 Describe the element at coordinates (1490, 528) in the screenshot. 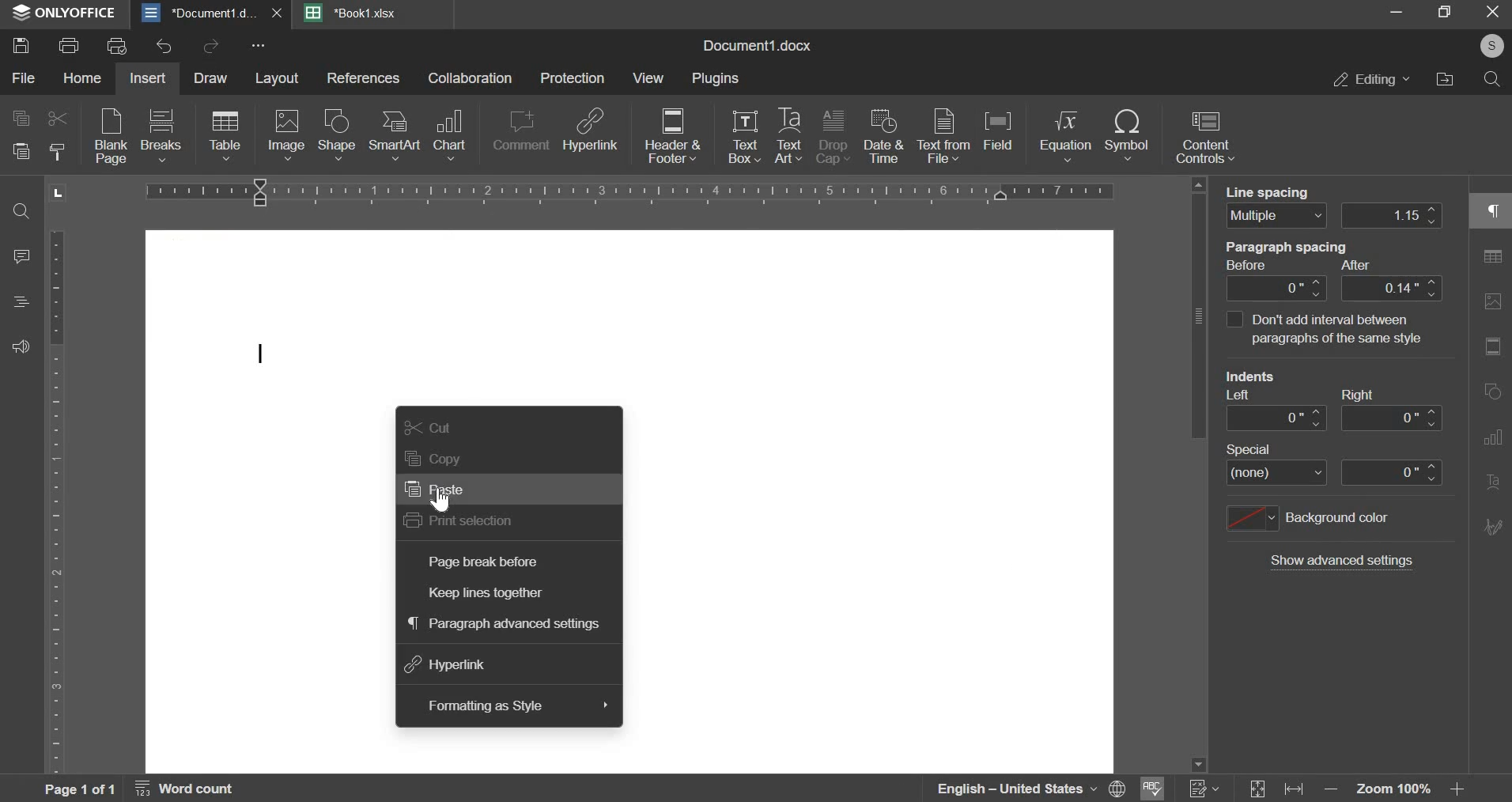

I see `References/Bookmarks Tool` at that location.